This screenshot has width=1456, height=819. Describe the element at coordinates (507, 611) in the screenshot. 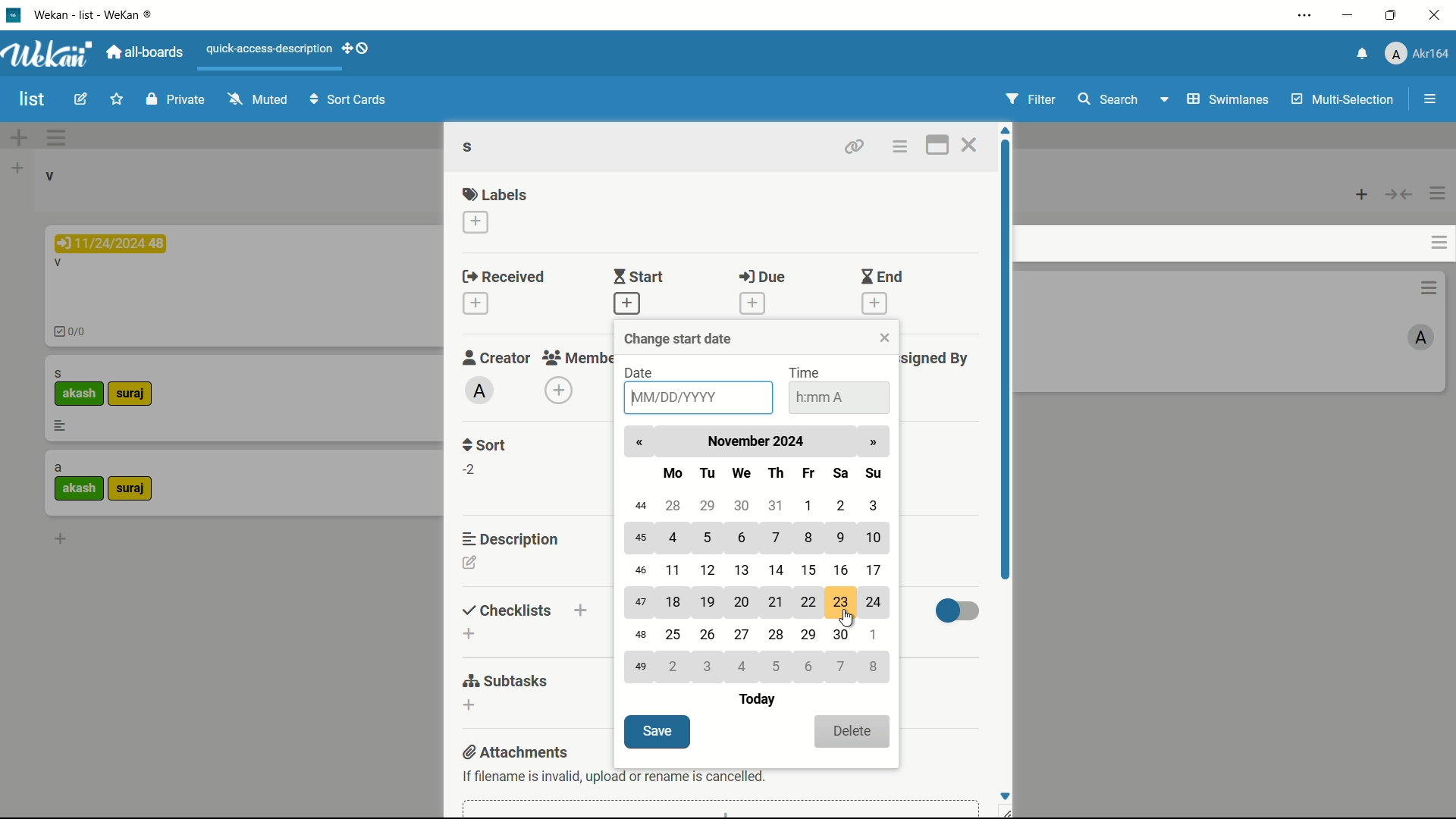

I see `checklists` at that location.